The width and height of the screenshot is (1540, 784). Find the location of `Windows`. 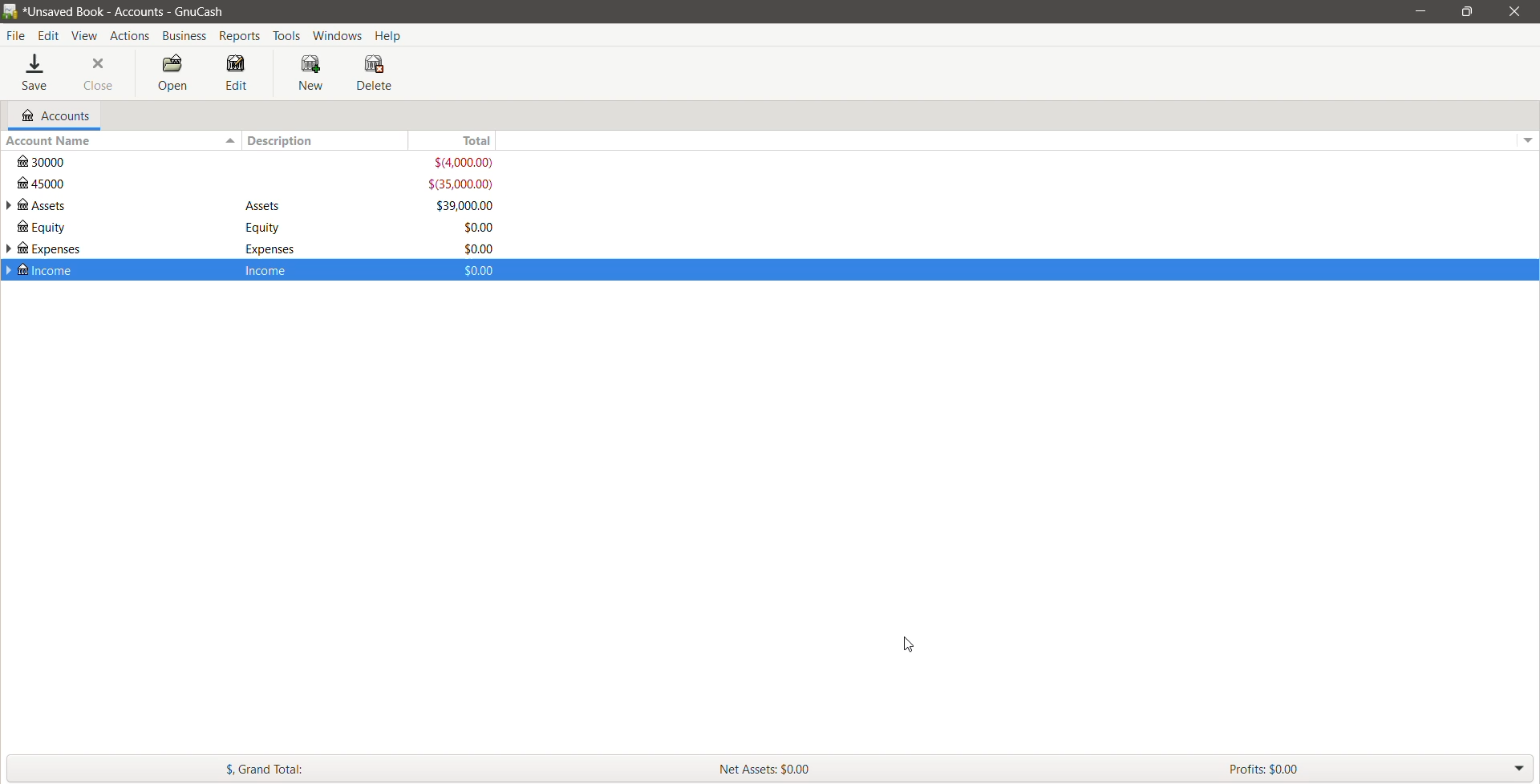

Windows is located at coordinates (338, 34).